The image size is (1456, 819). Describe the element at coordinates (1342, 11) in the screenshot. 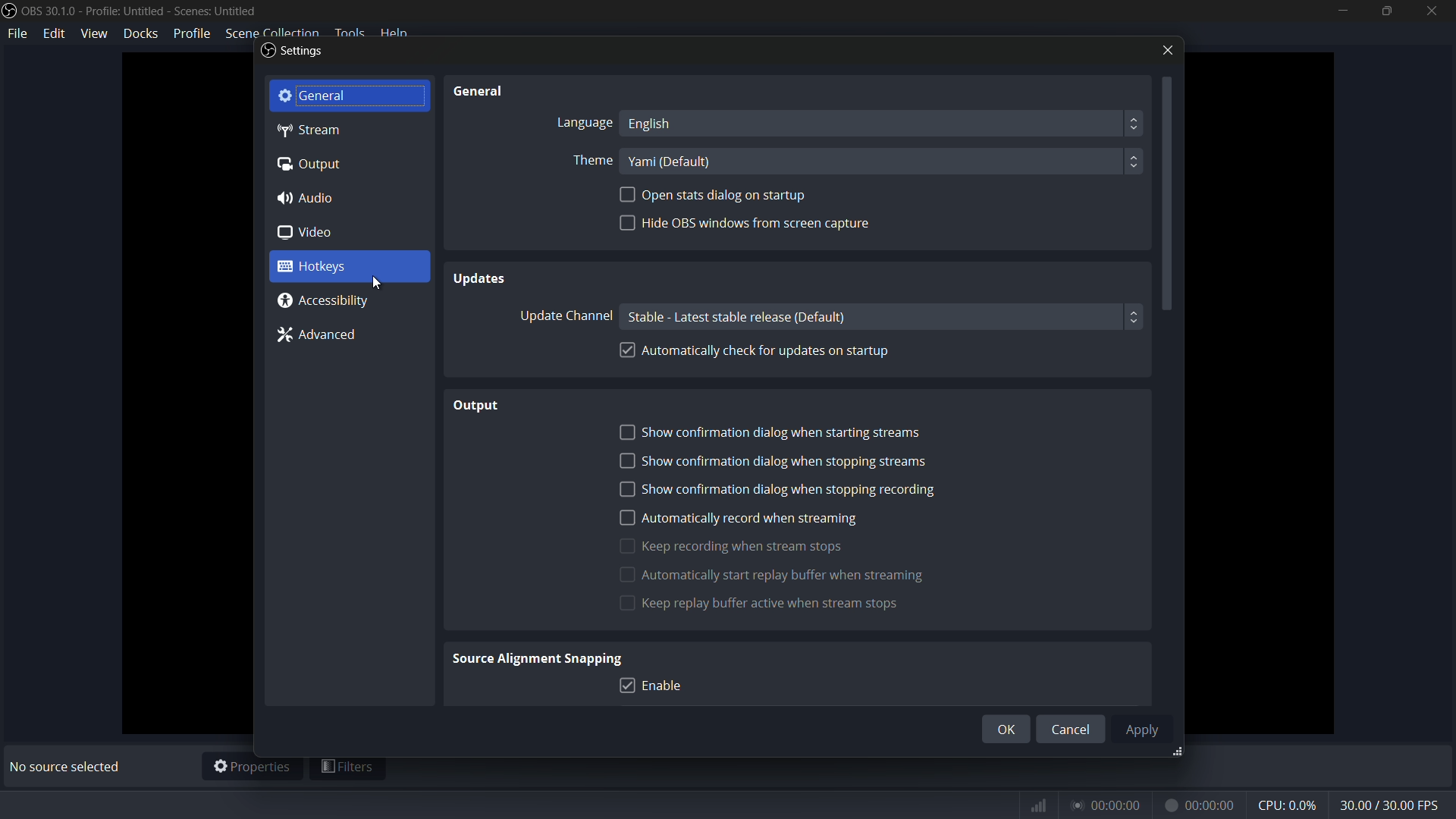

I see `minimize` at that location.